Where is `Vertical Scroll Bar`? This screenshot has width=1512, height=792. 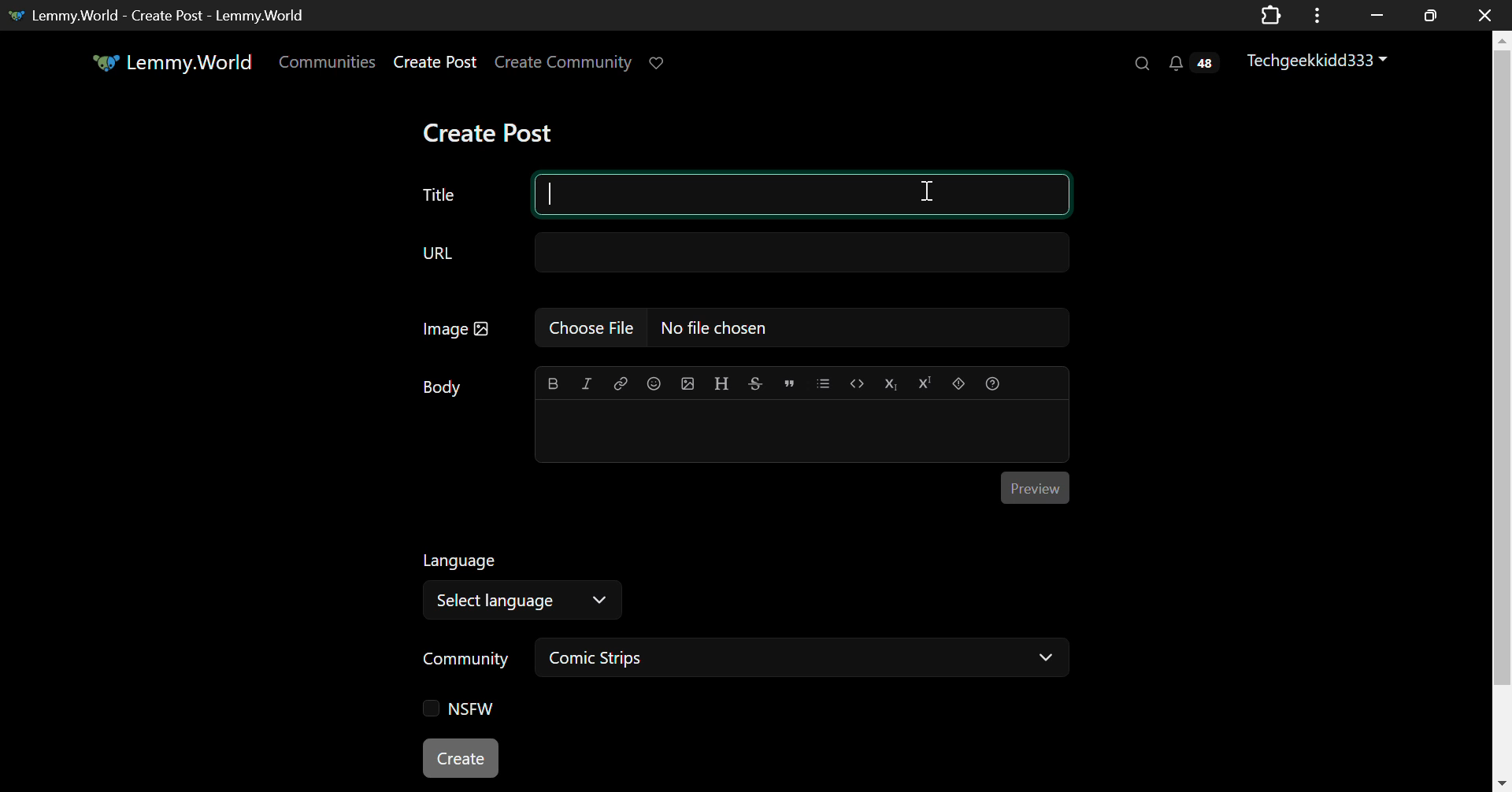 Vertical Scroll Bar is located at coordinates (1503, 418).